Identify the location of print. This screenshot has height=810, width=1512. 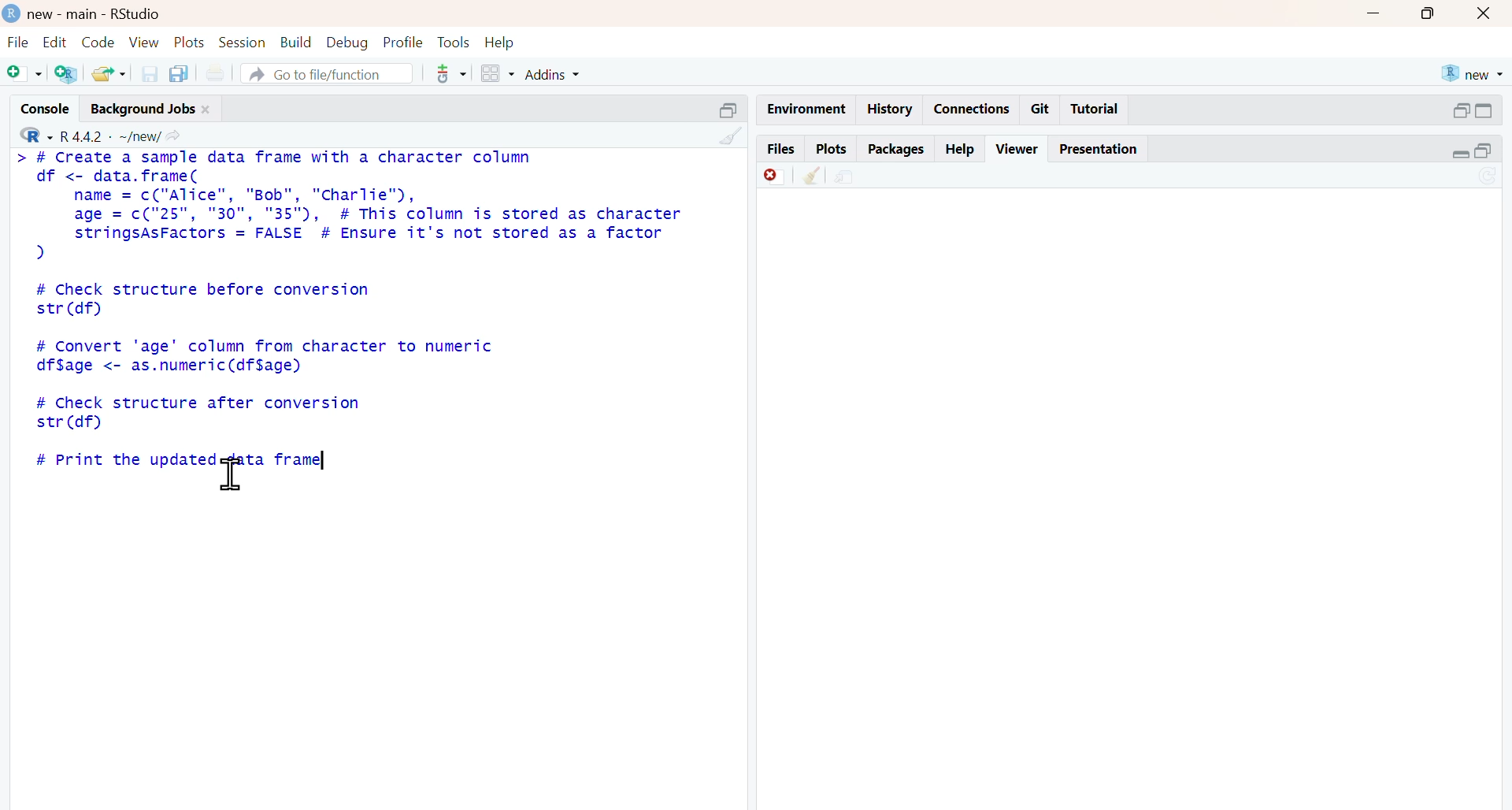
(216, 75).